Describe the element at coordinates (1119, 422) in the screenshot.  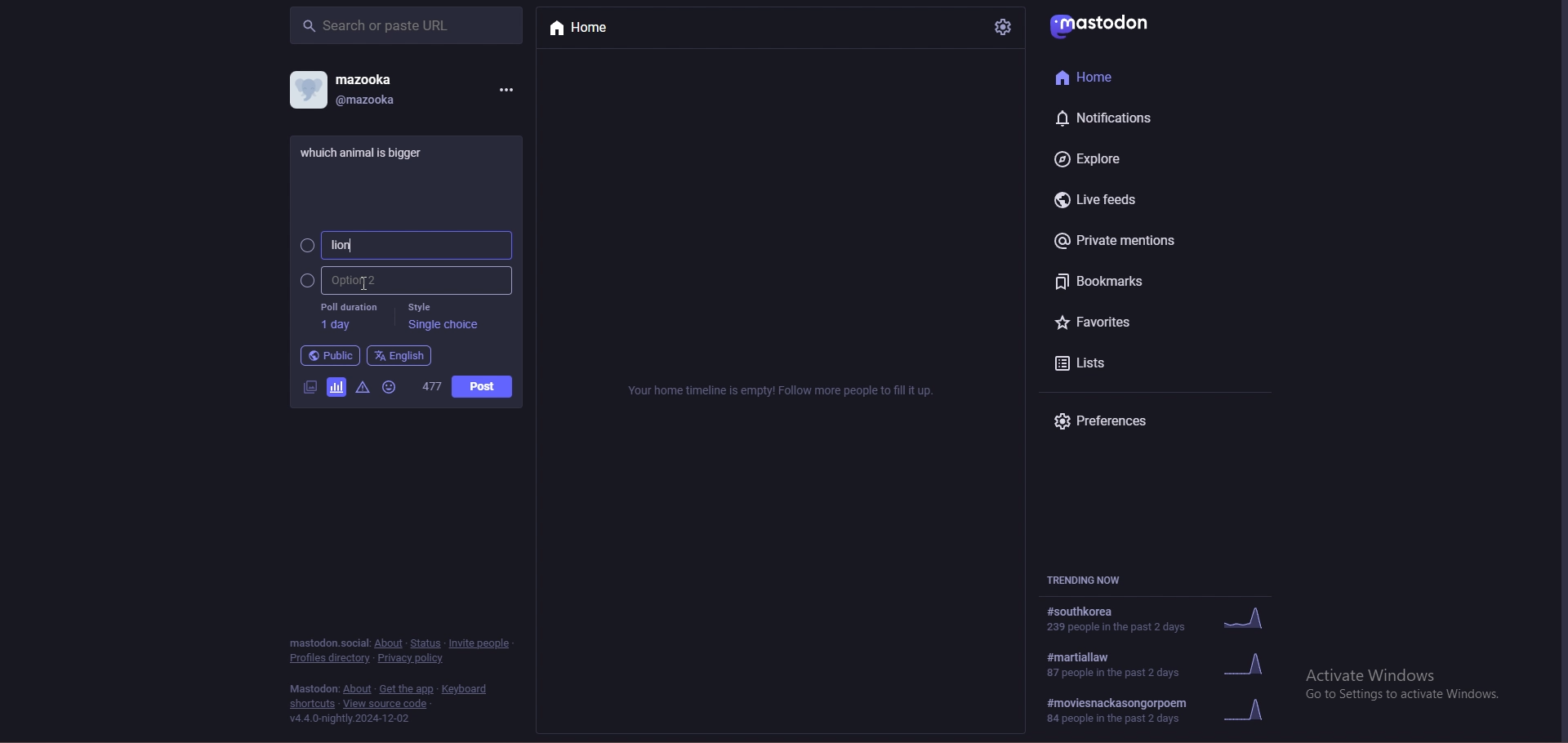
I see `preferences` at that location.